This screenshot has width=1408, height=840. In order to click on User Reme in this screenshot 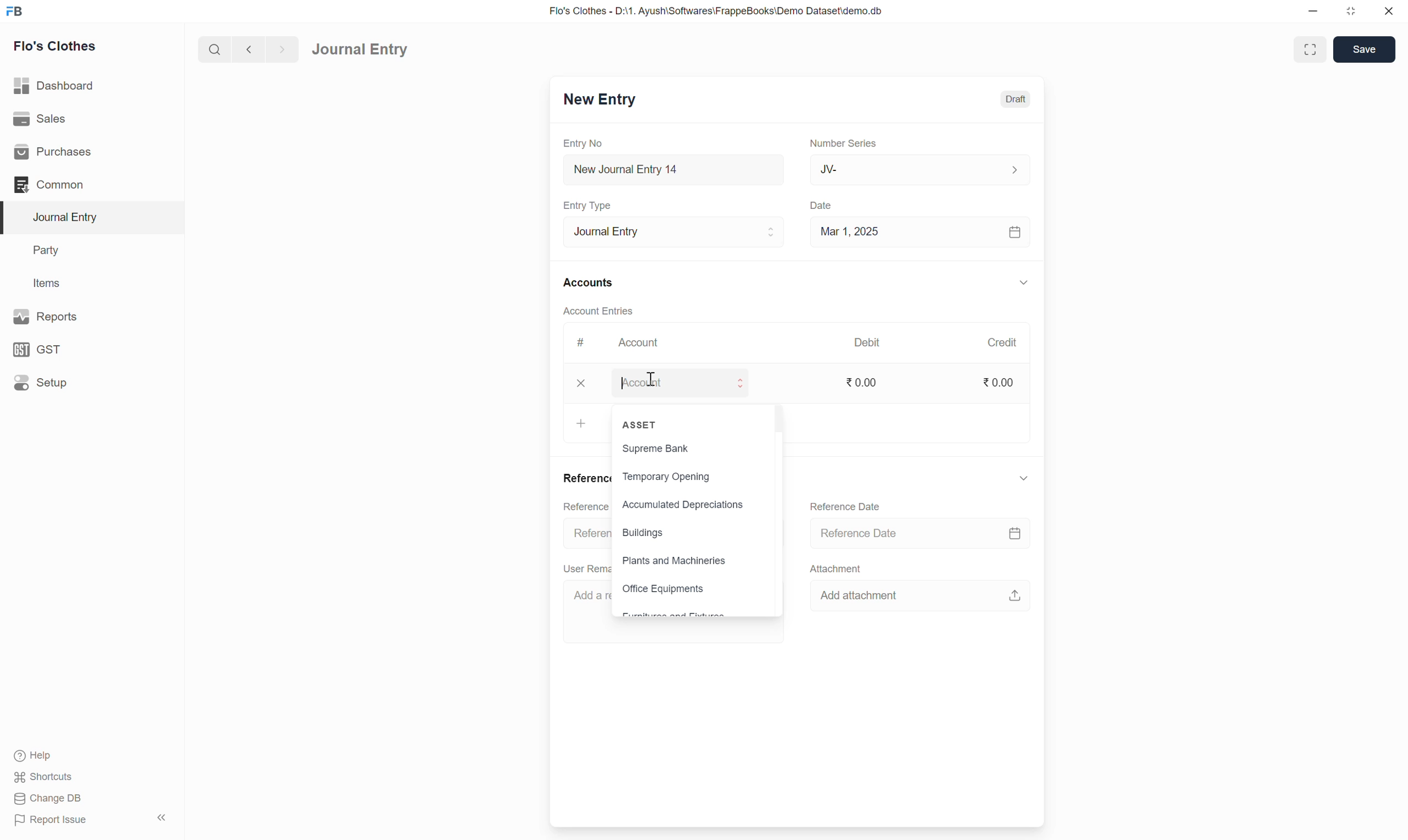, I will do `click(587, 568)`.